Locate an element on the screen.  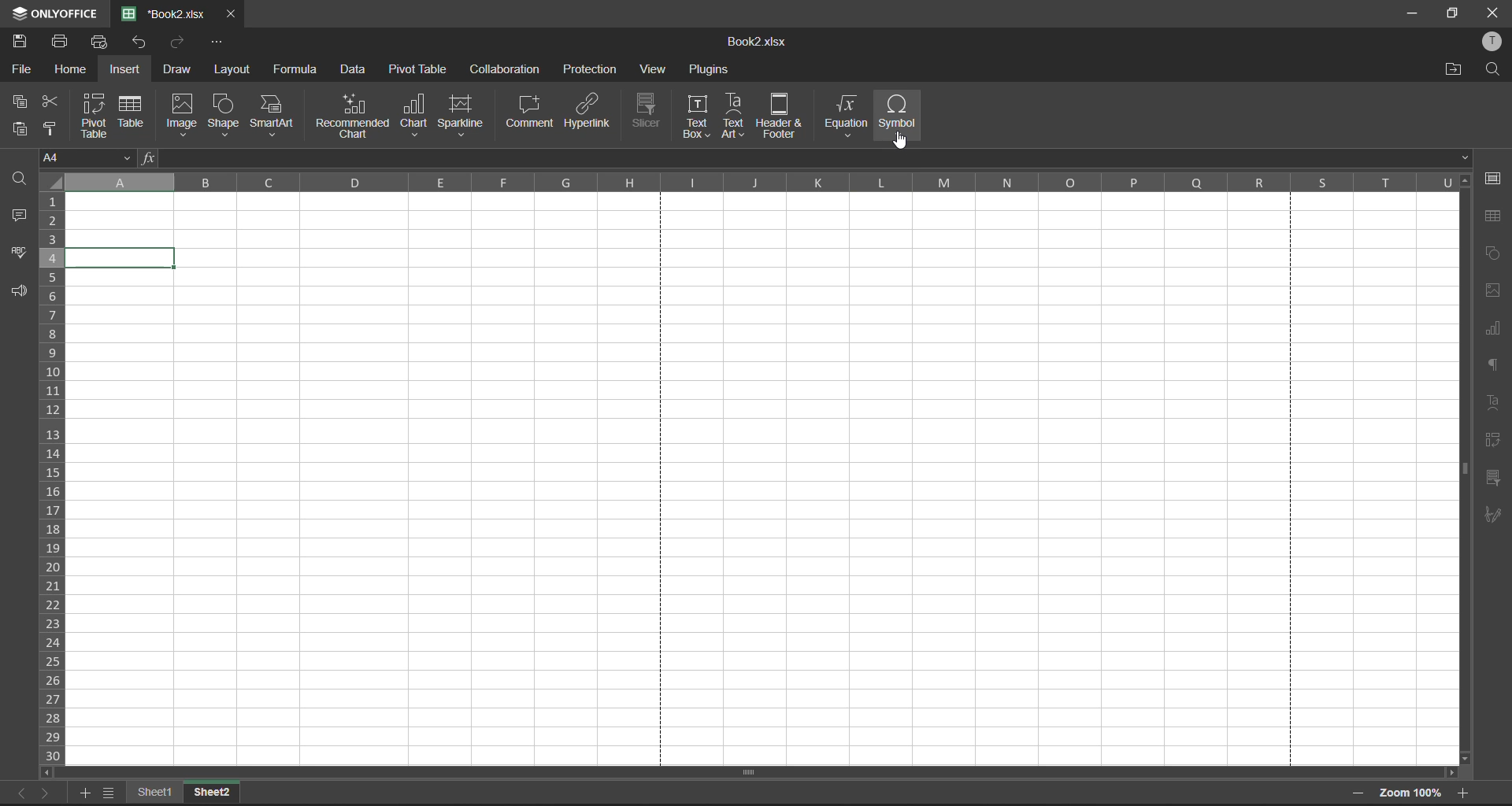
minimize is located at coordinates (1408, 11).